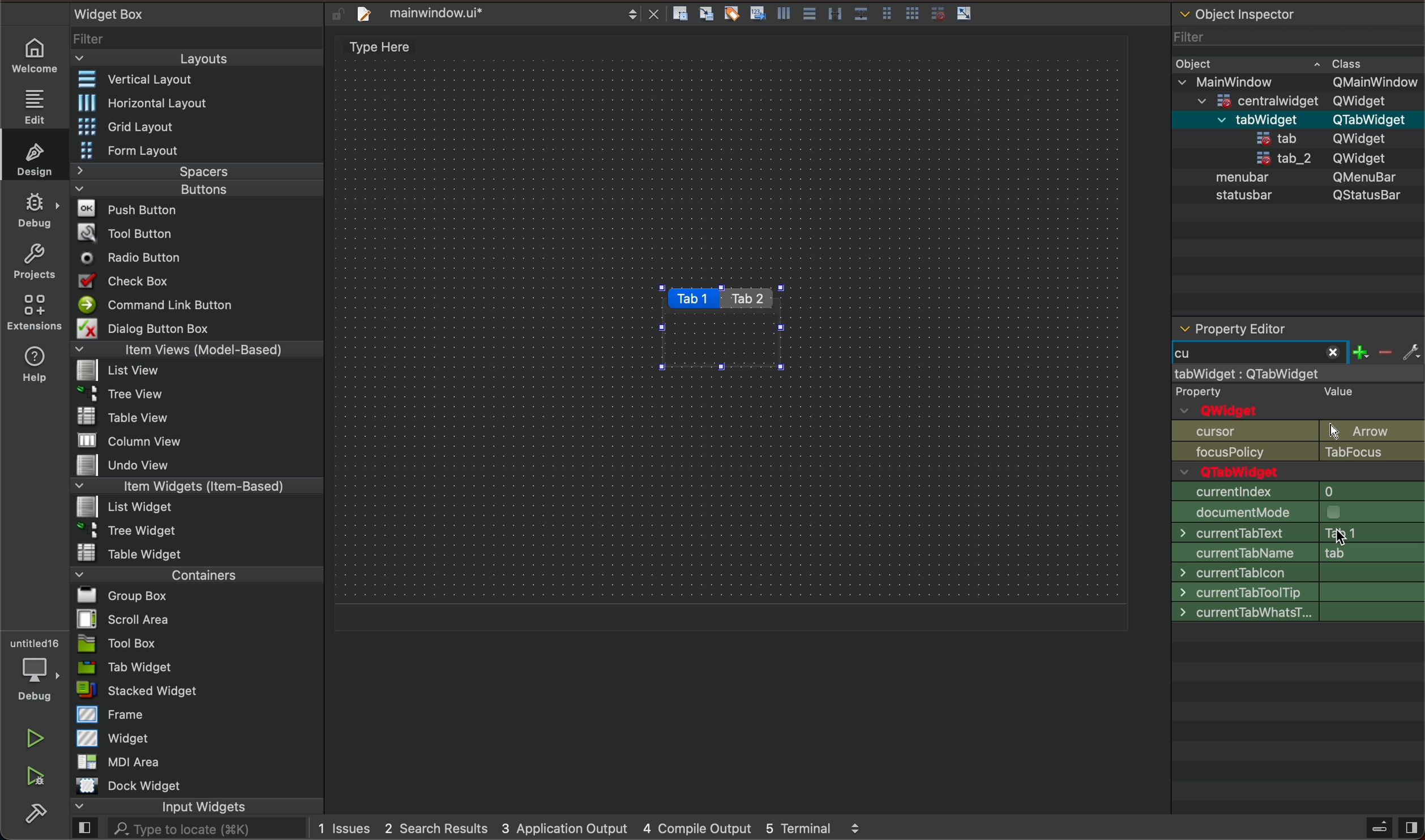 The height and width of the screenshot is (840, 1425). I want to click on tab text change, so click(1370, 533).